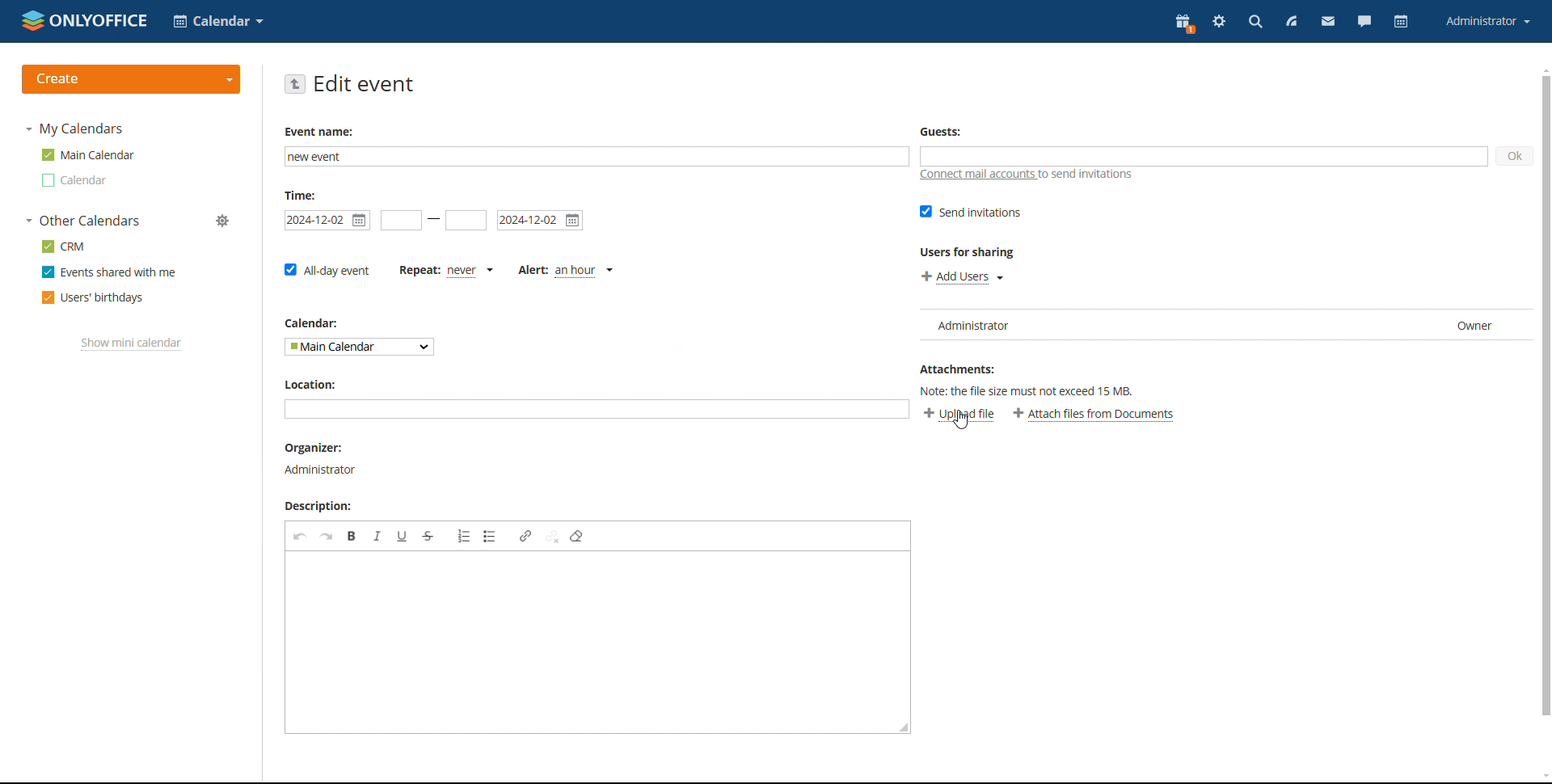 This screenshot has width=1552, height=784. Describe the element at coordinates (464, 536) in the screenshot. I see `insert/remove numbered list` at that location.